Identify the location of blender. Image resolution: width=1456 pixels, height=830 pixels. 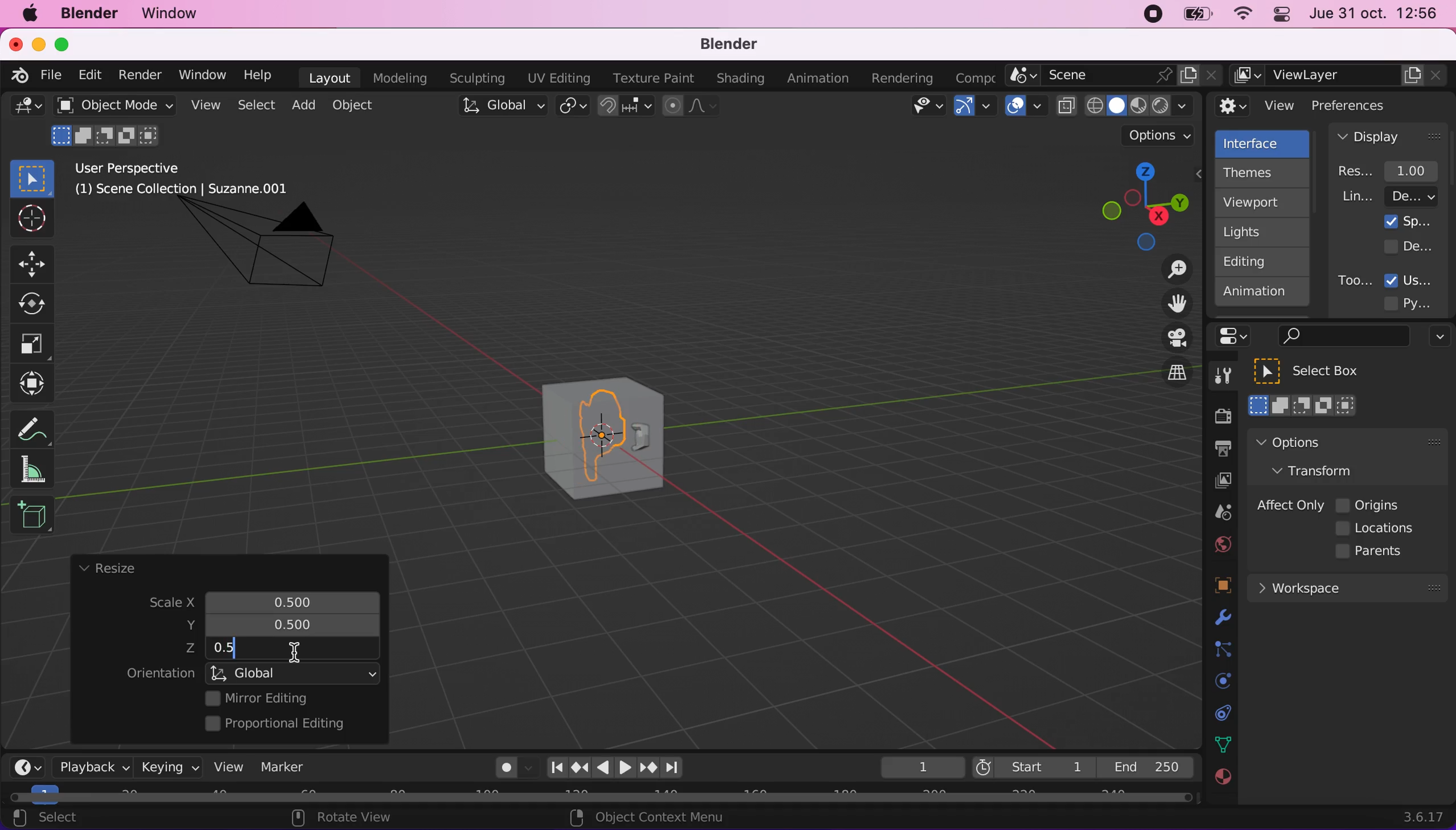
(721, 45).